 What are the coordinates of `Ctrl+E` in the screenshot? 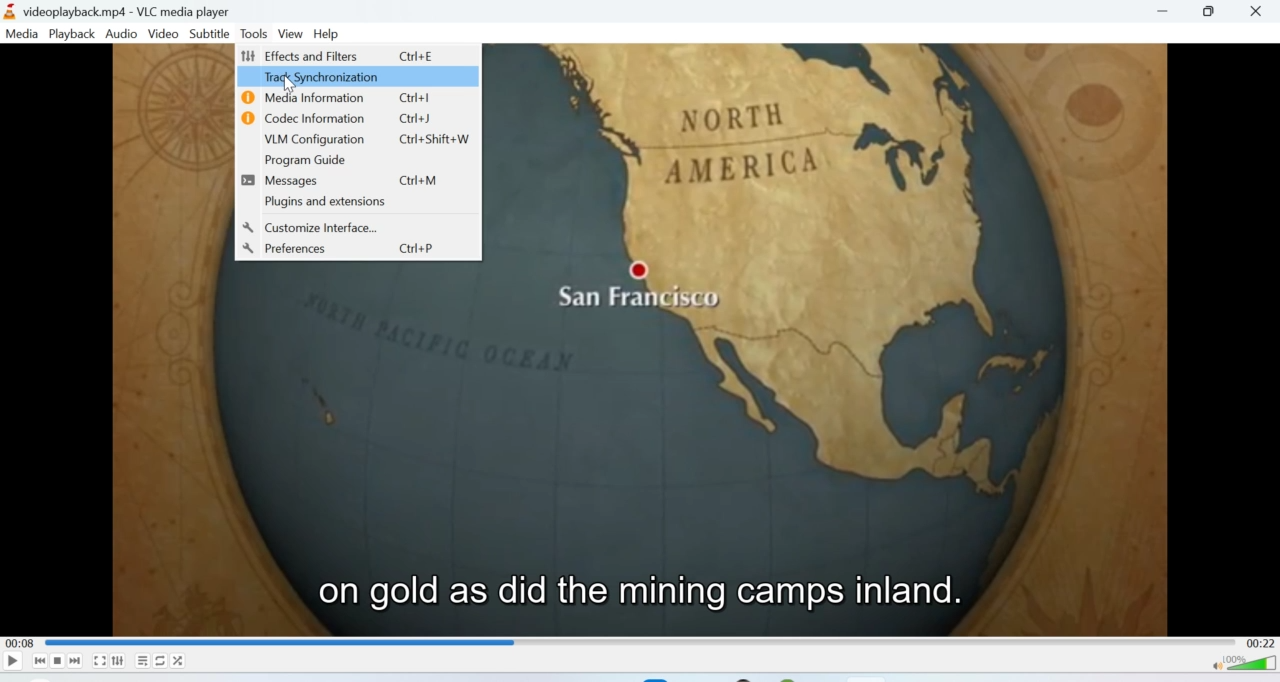 It's located at (419, 54).